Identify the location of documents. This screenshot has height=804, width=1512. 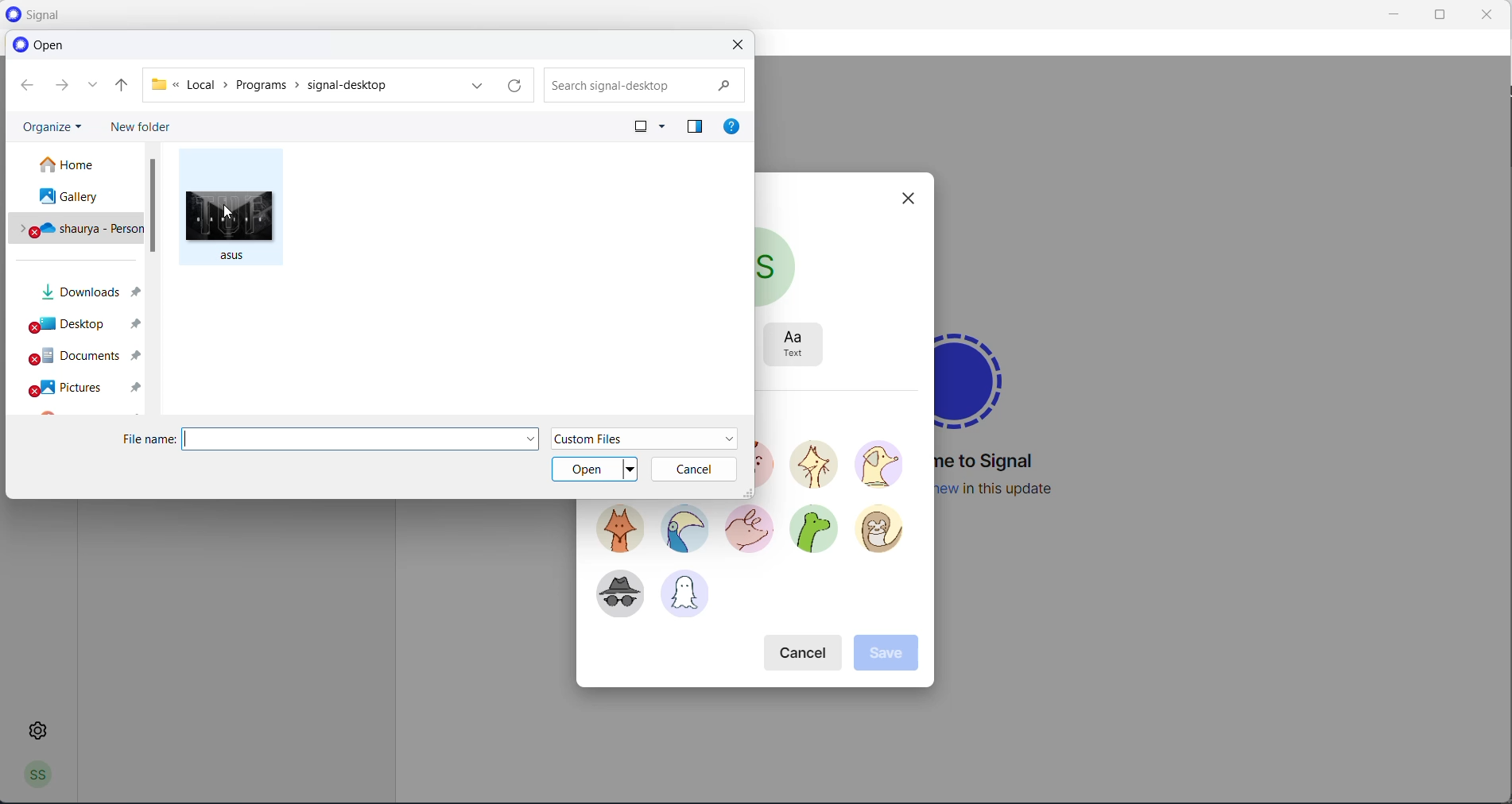
(91, 358).